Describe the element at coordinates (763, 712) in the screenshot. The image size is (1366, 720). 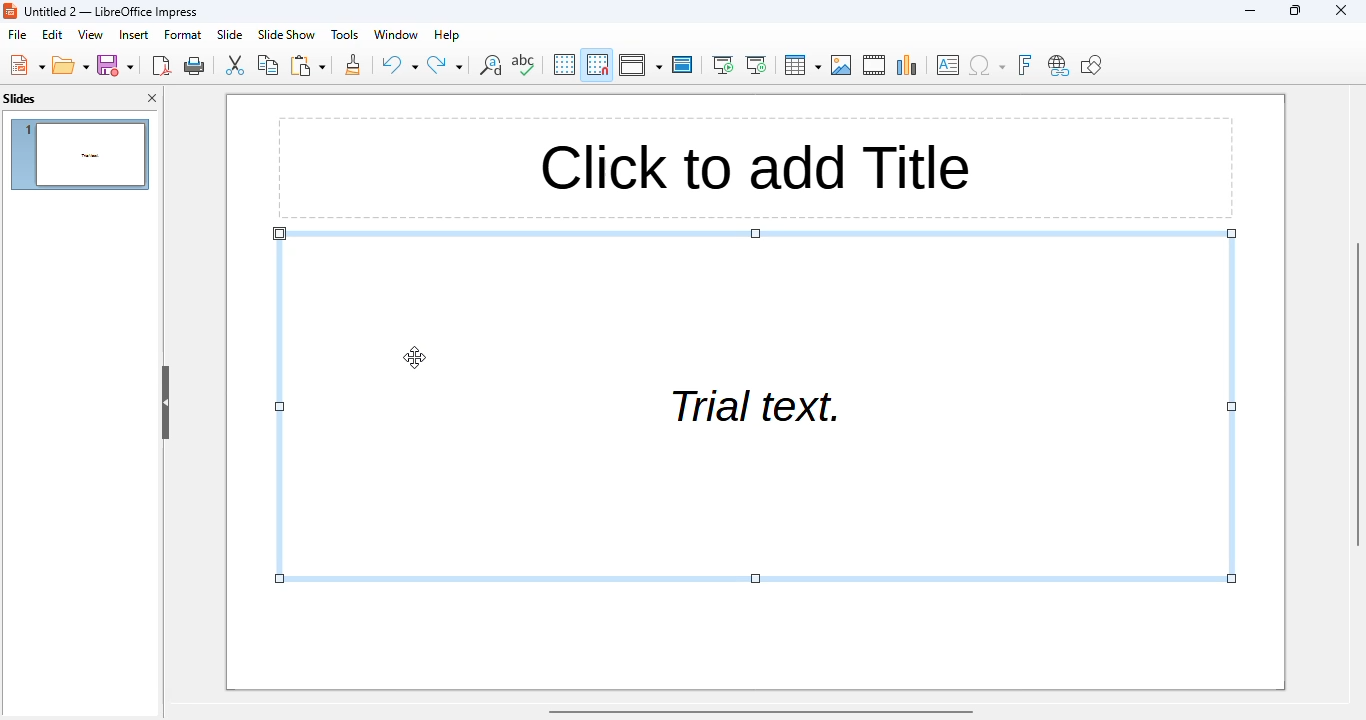
I see `horizontal scroll bar` at that location.